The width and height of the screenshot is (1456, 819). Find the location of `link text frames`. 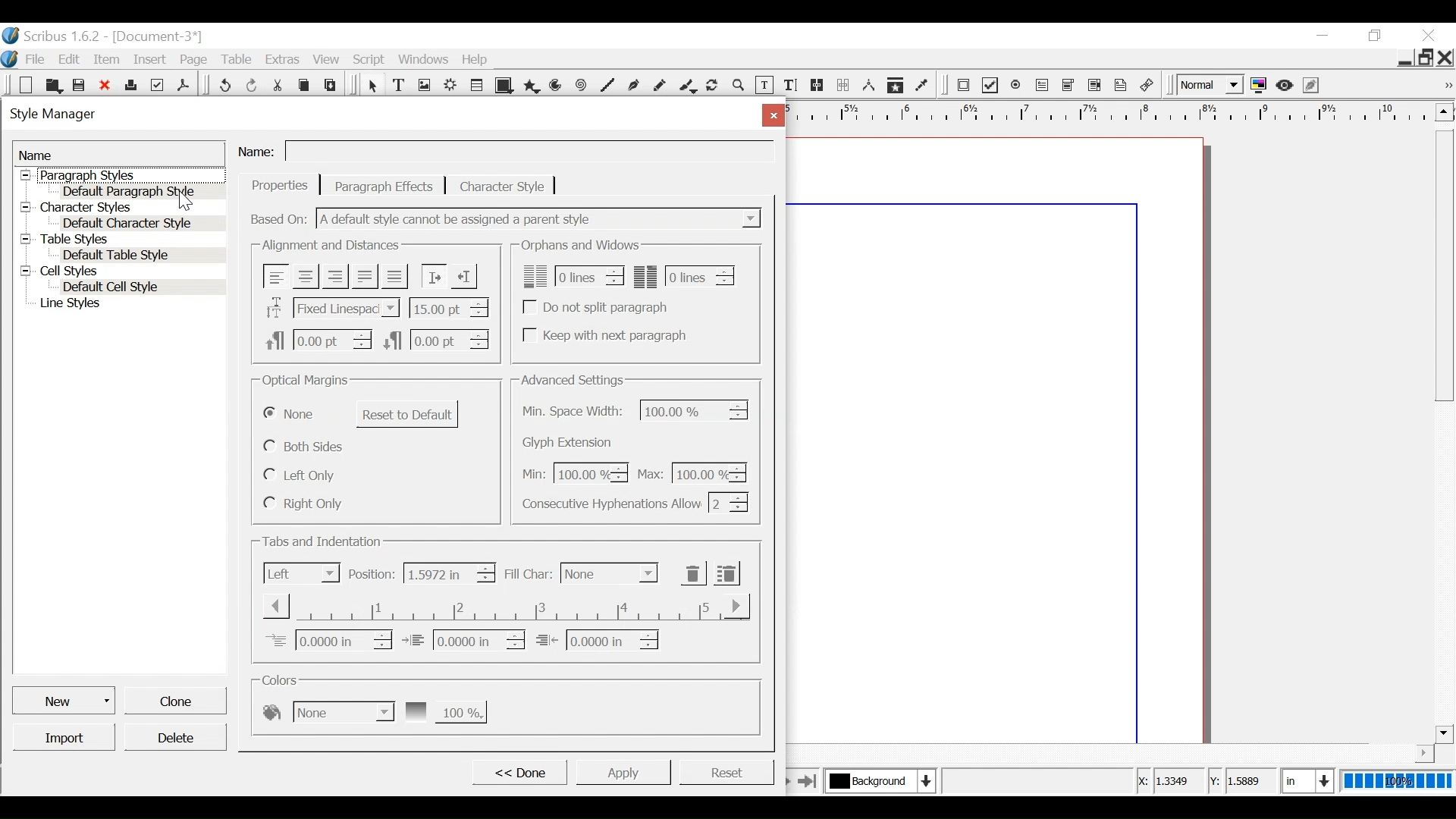

link text frames is located at coordinates (817, 86).